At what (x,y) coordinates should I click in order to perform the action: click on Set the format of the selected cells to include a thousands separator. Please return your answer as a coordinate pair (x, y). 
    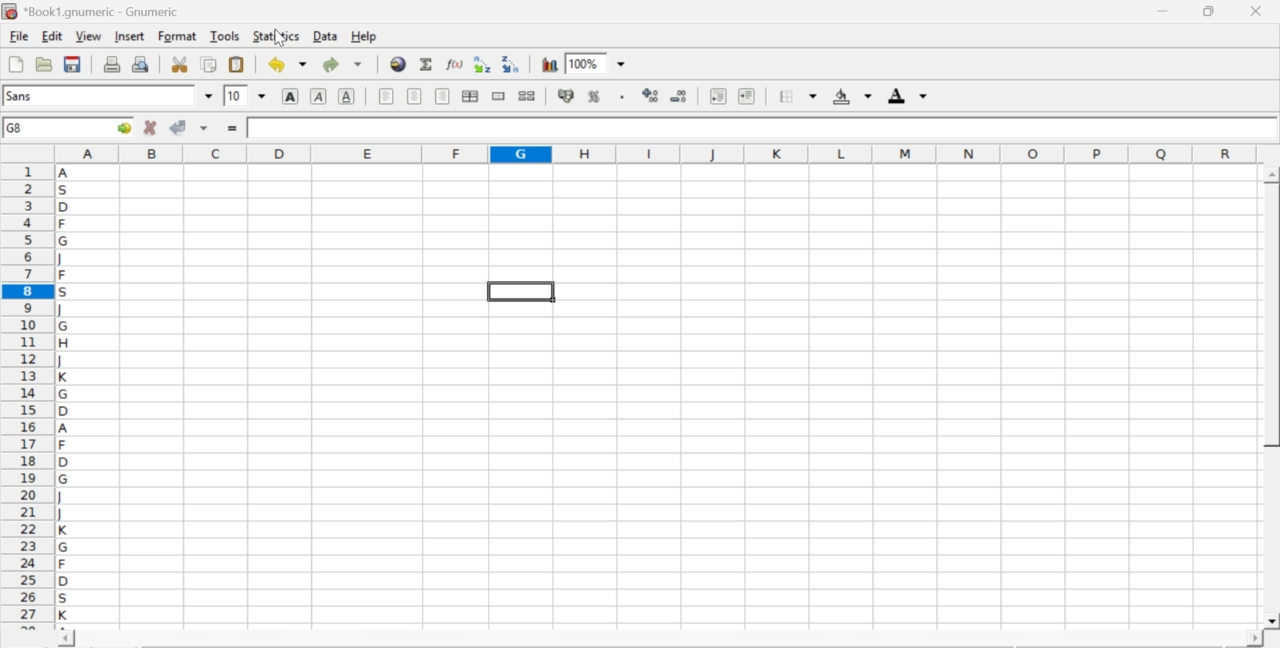
    Looking at the image, I should click on (620, 97).